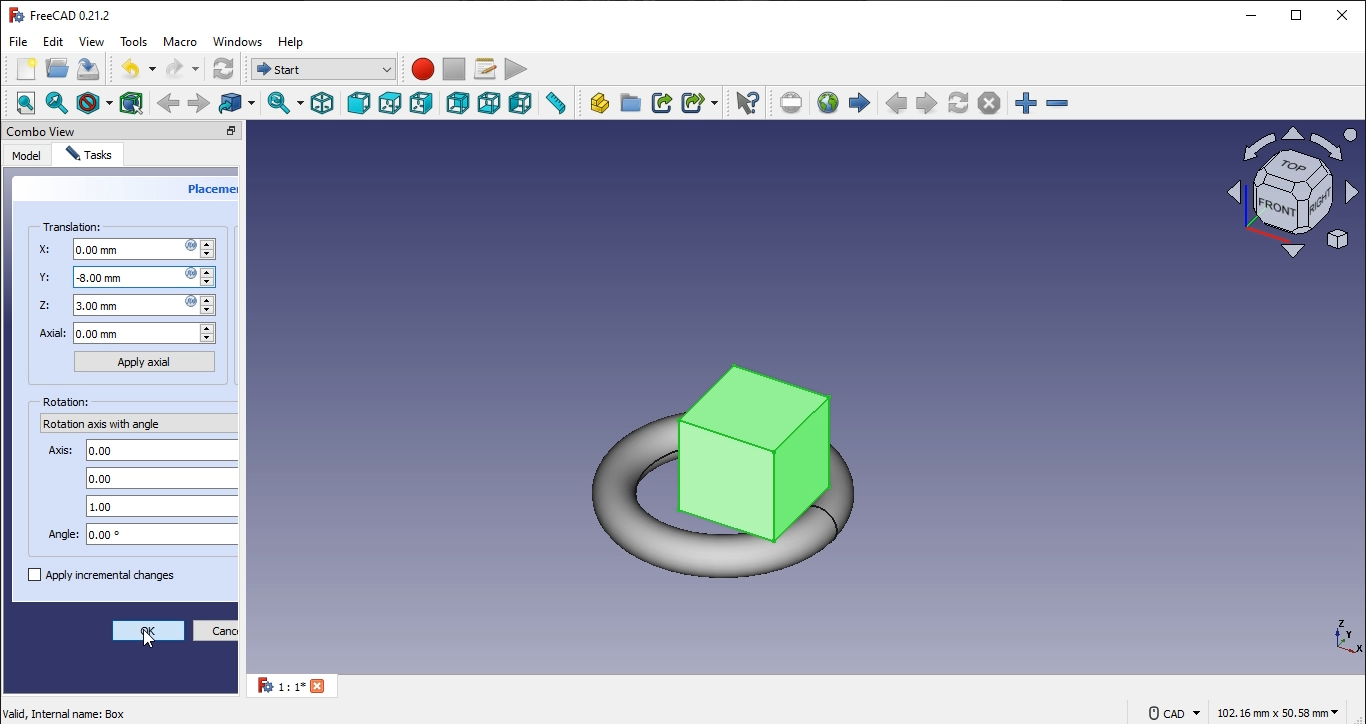  Describe the element at coordinates (391, 104) in the screenshot. I see `top` at that location.